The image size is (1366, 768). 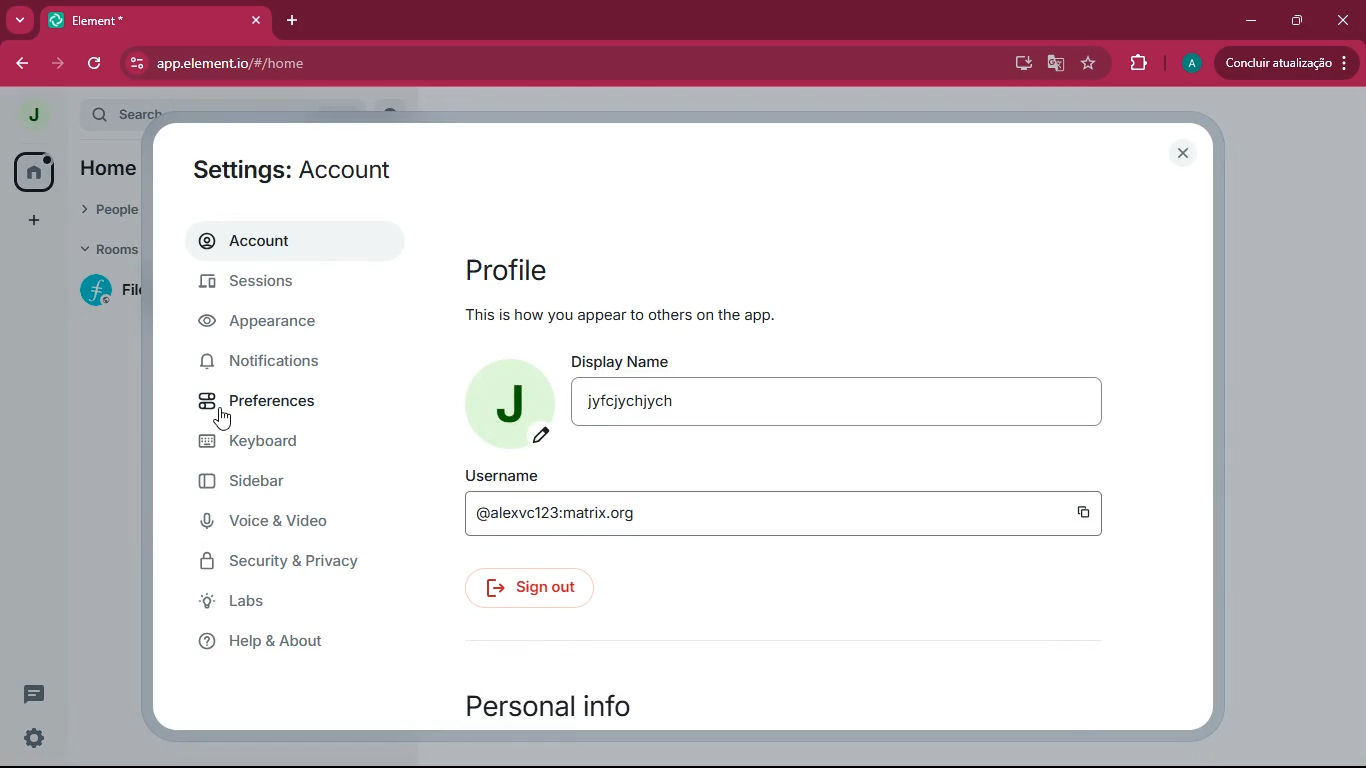 I want to click on personal info, so click(x=581, y=708).